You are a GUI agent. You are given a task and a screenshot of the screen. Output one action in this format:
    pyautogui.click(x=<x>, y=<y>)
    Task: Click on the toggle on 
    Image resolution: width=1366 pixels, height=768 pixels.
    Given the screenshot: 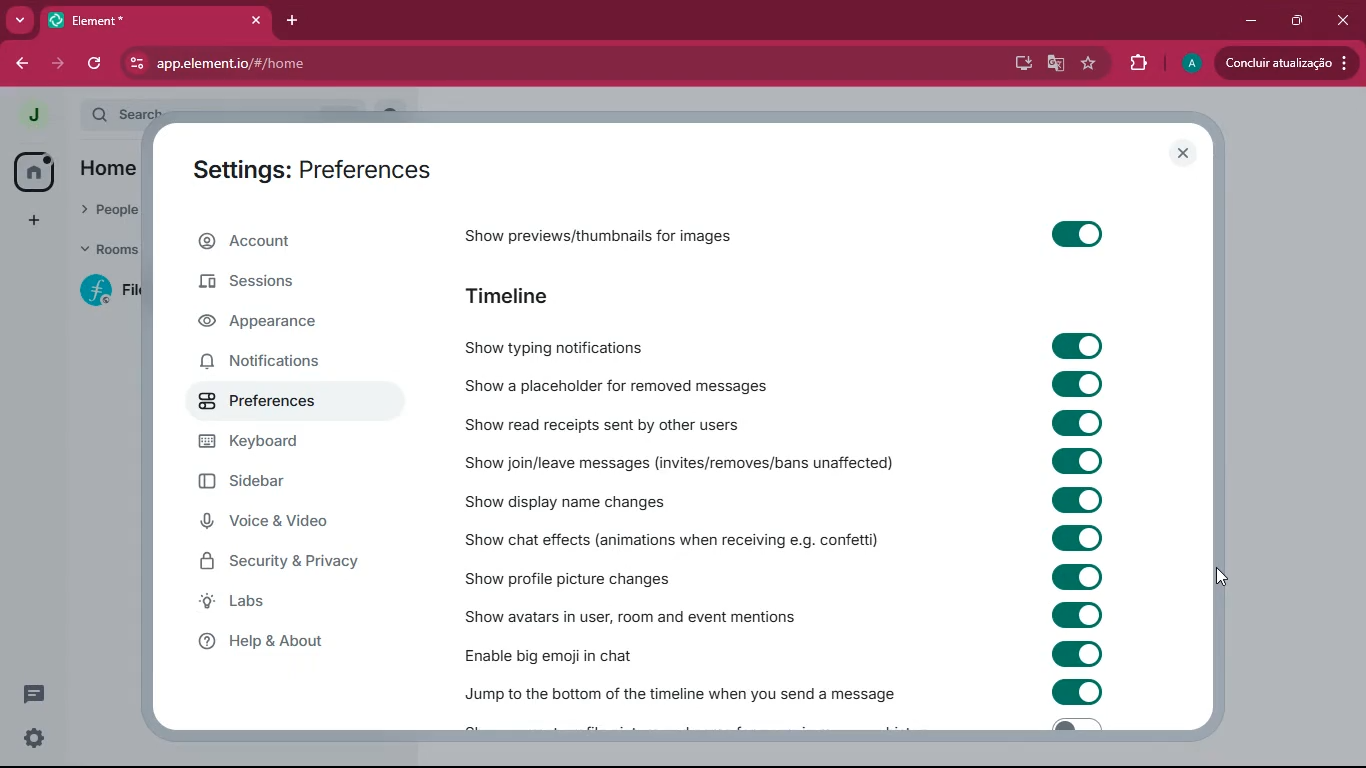 What is the action you would take?
    pyautogui.click(x=1077, y=575)
    